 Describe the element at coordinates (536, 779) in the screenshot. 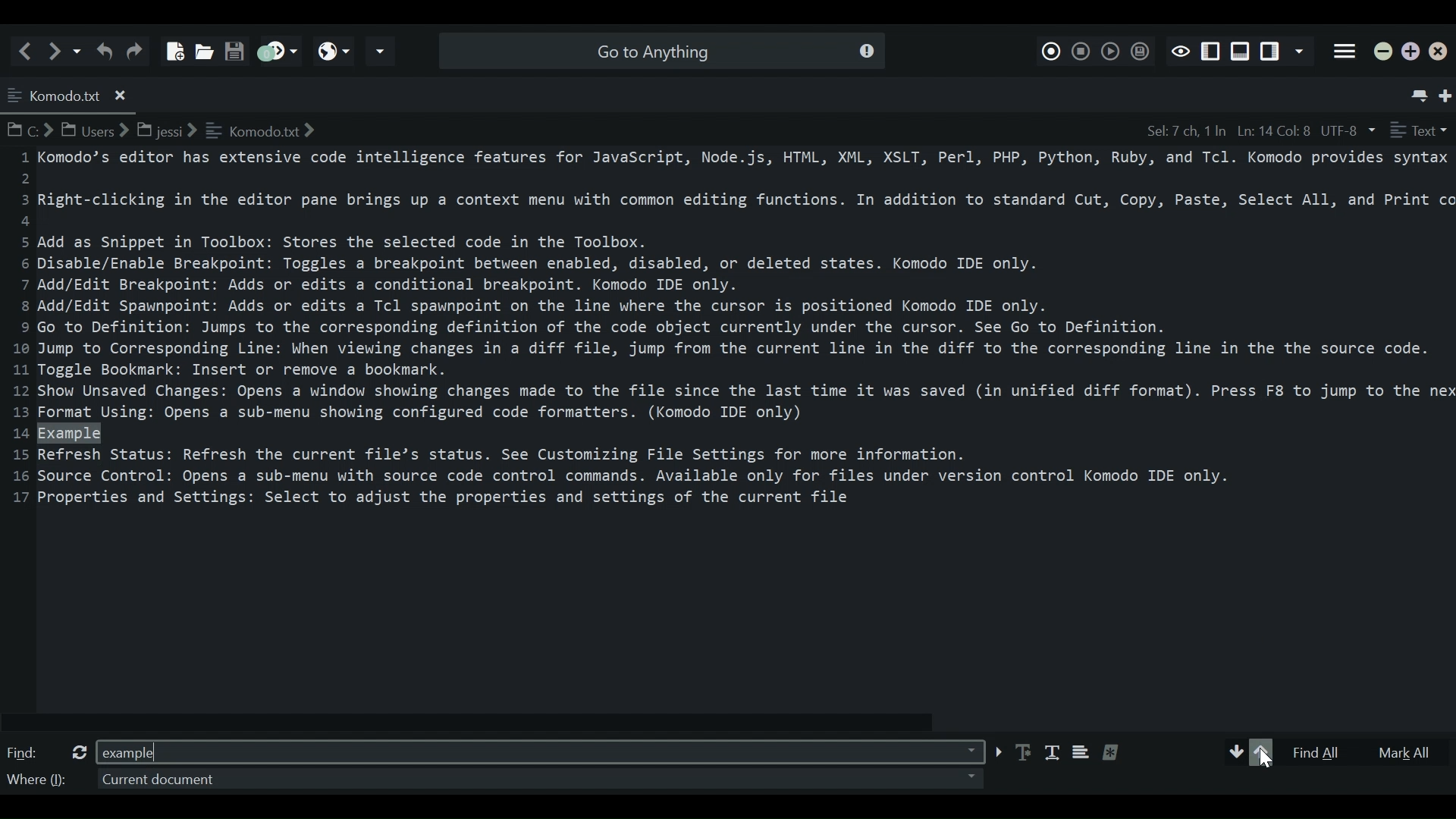

I see `Where Dropdown menu` at that location.